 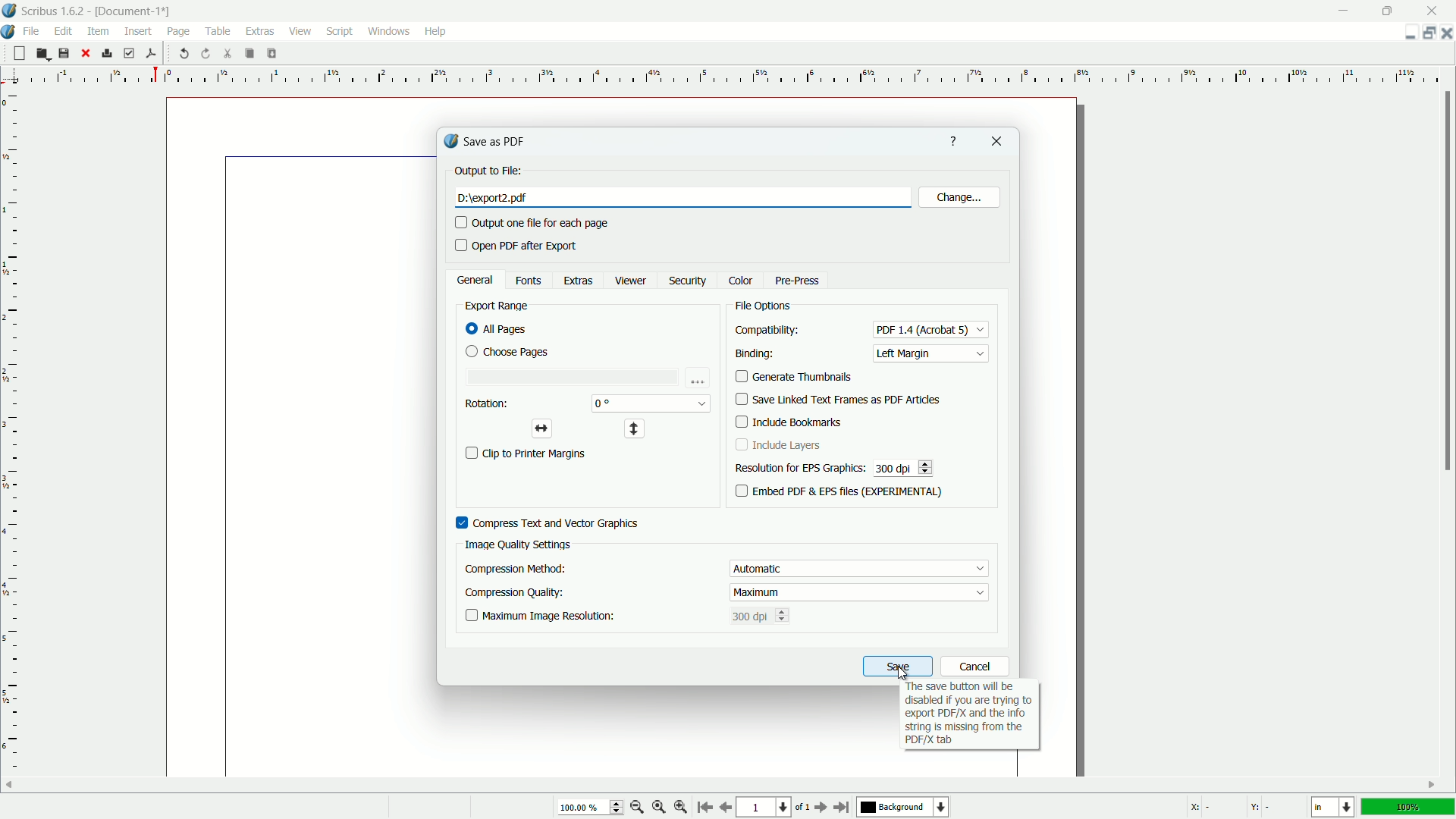 I want to click on text, so click(x=971, y=715).